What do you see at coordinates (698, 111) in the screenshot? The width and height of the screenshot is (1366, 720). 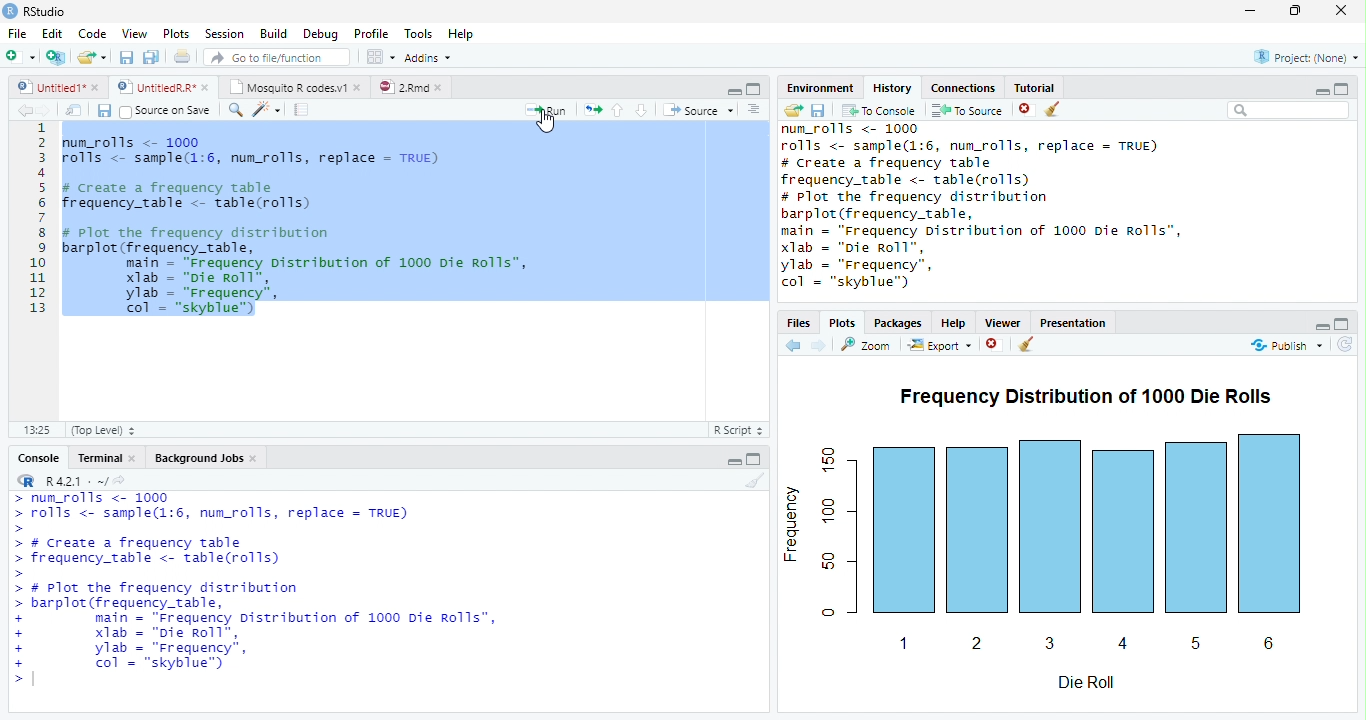 I see `Source` at bounding box center [698, 111].